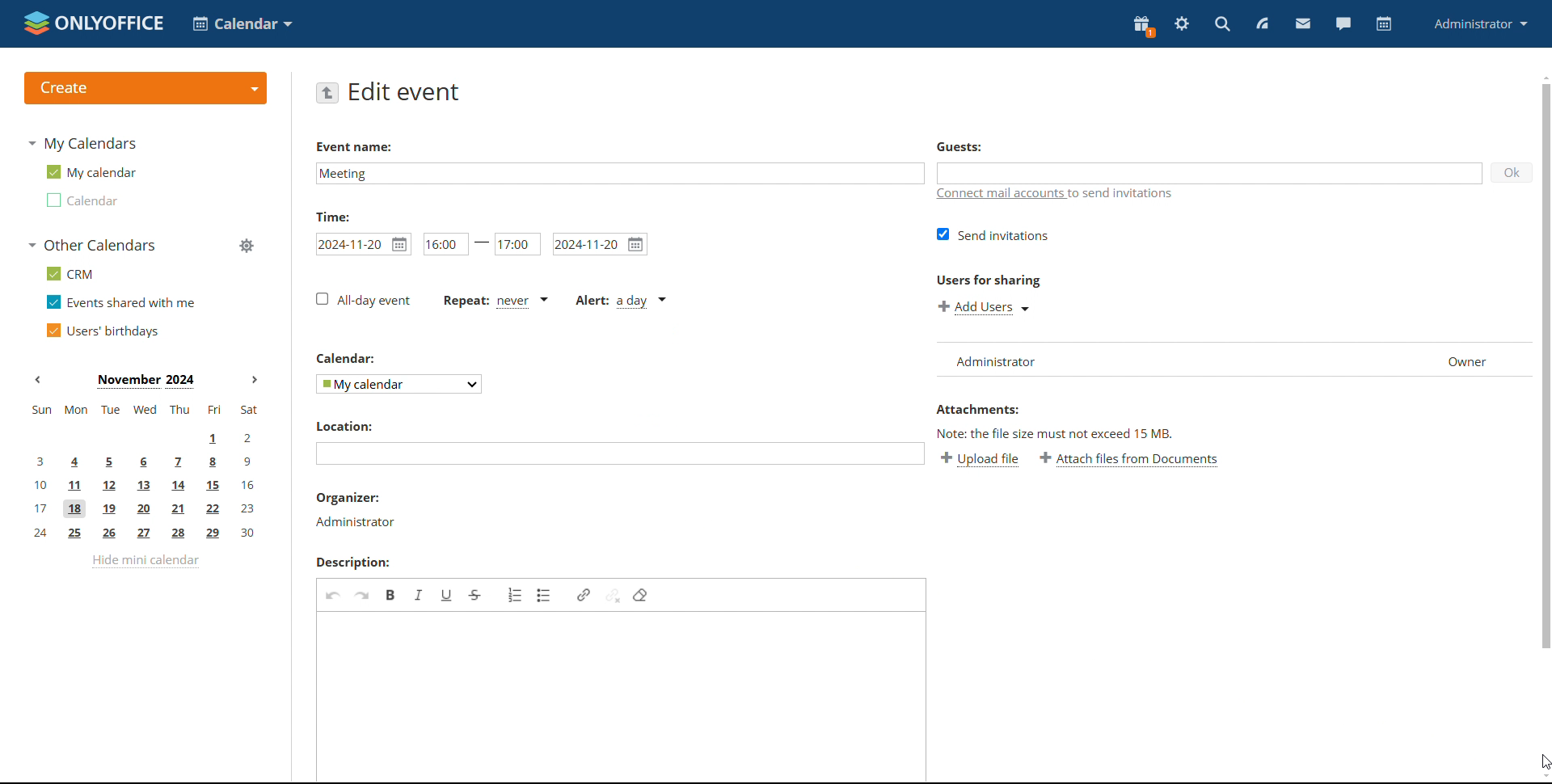  What do you see at coordinates (91, 245) in the screenshot?
I see `other calendars` at bounding box center [91, 245].